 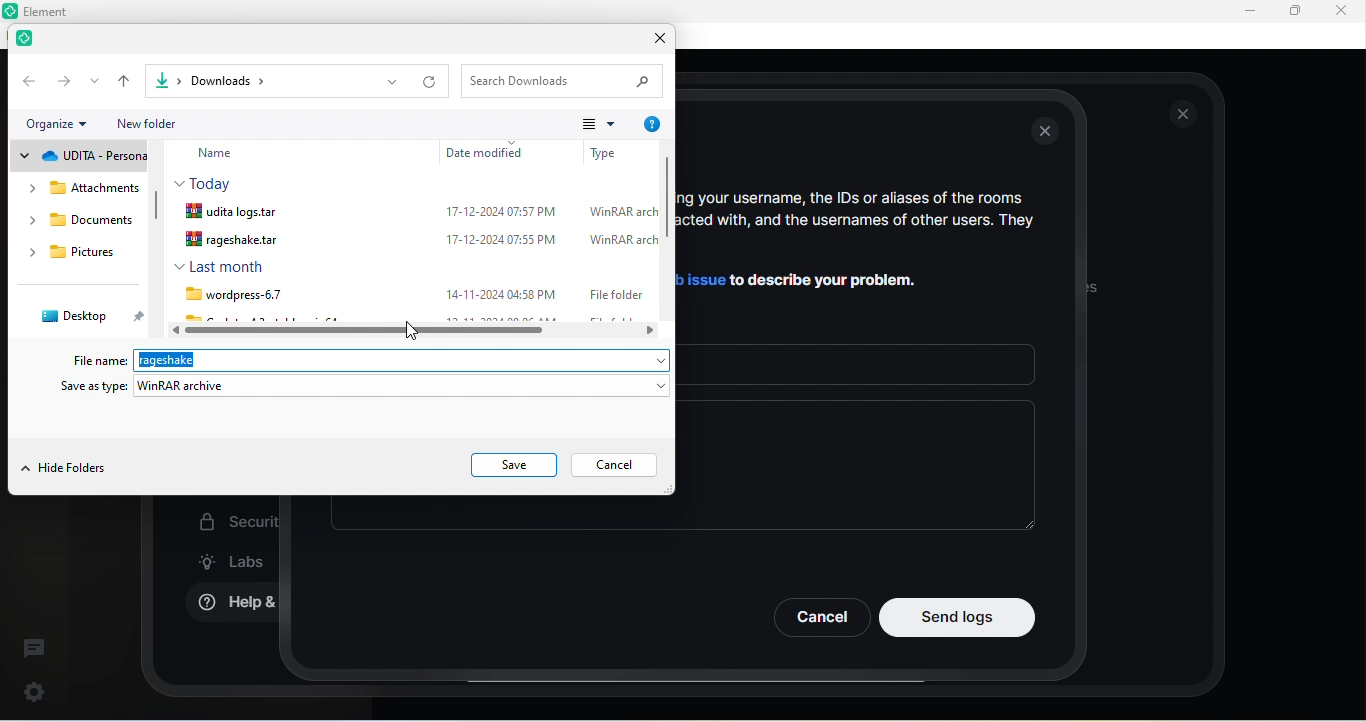 I want to click on close, so click(x=654, y=41).